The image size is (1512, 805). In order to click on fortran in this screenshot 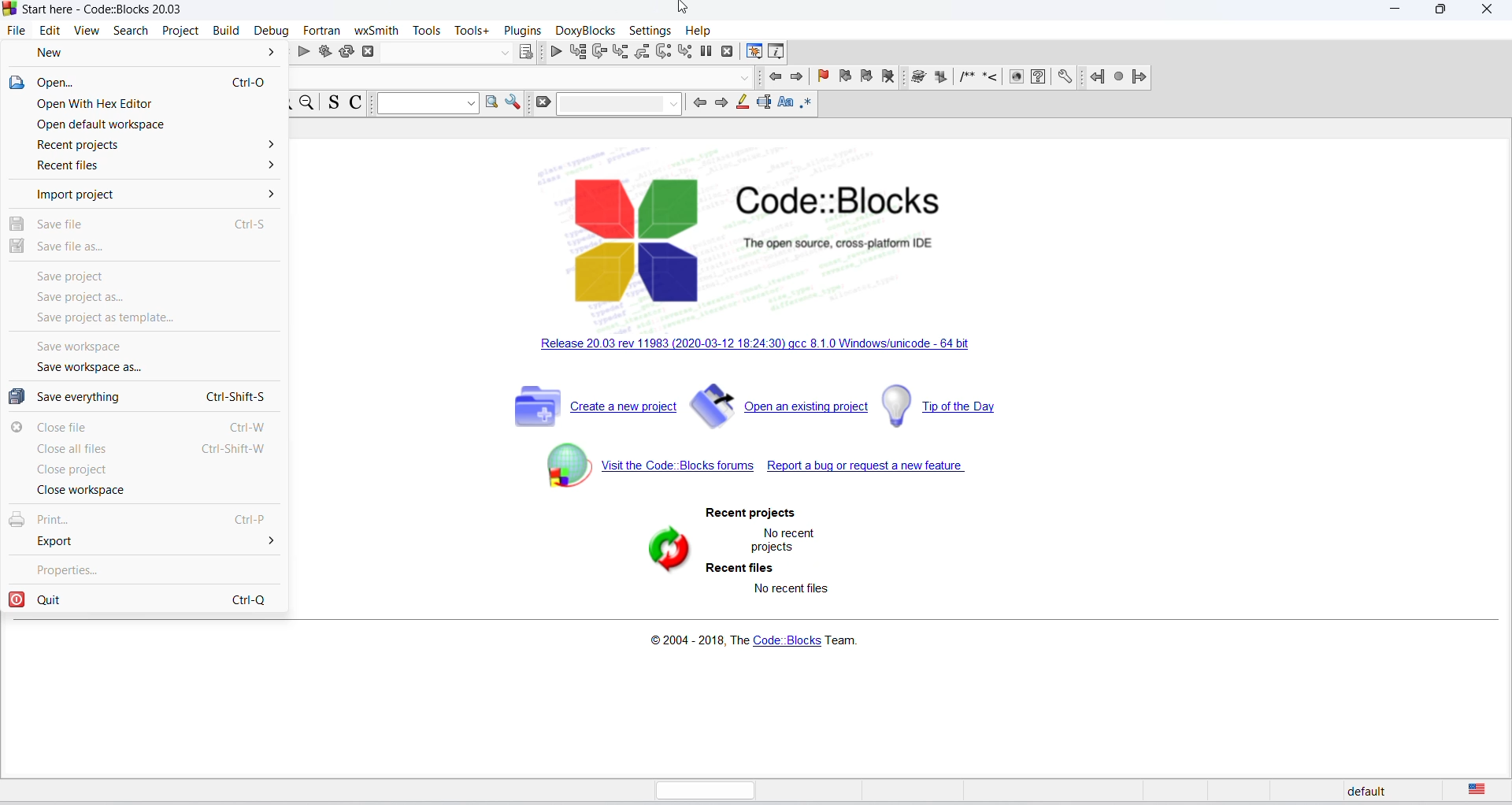, I will do `click(324, 32)`.